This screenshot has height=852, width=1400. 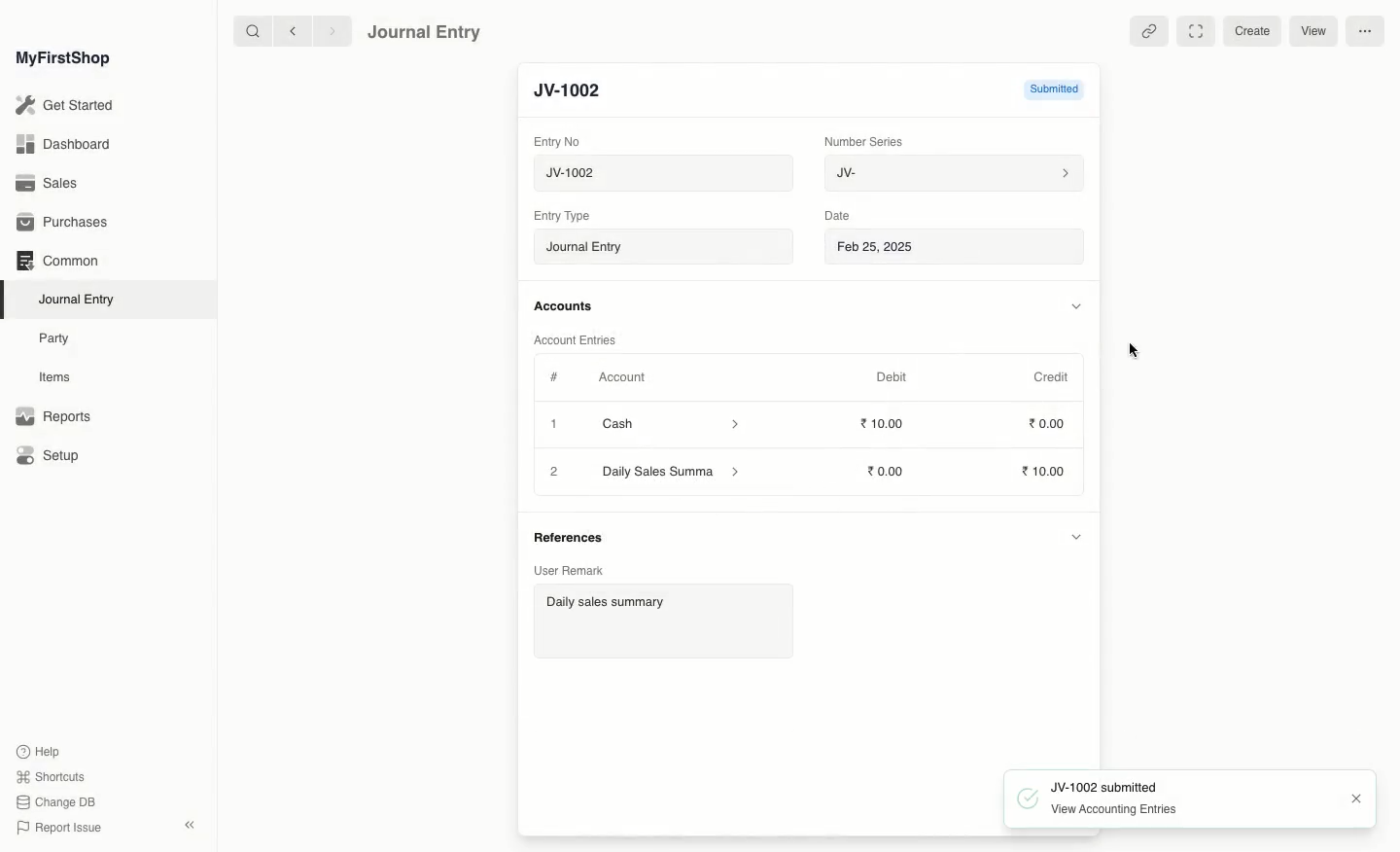 What do you see at coordinates (1088, 785) in the screenshot?
I see `JV-1002 submitted` at bounding box center [1088, 785].